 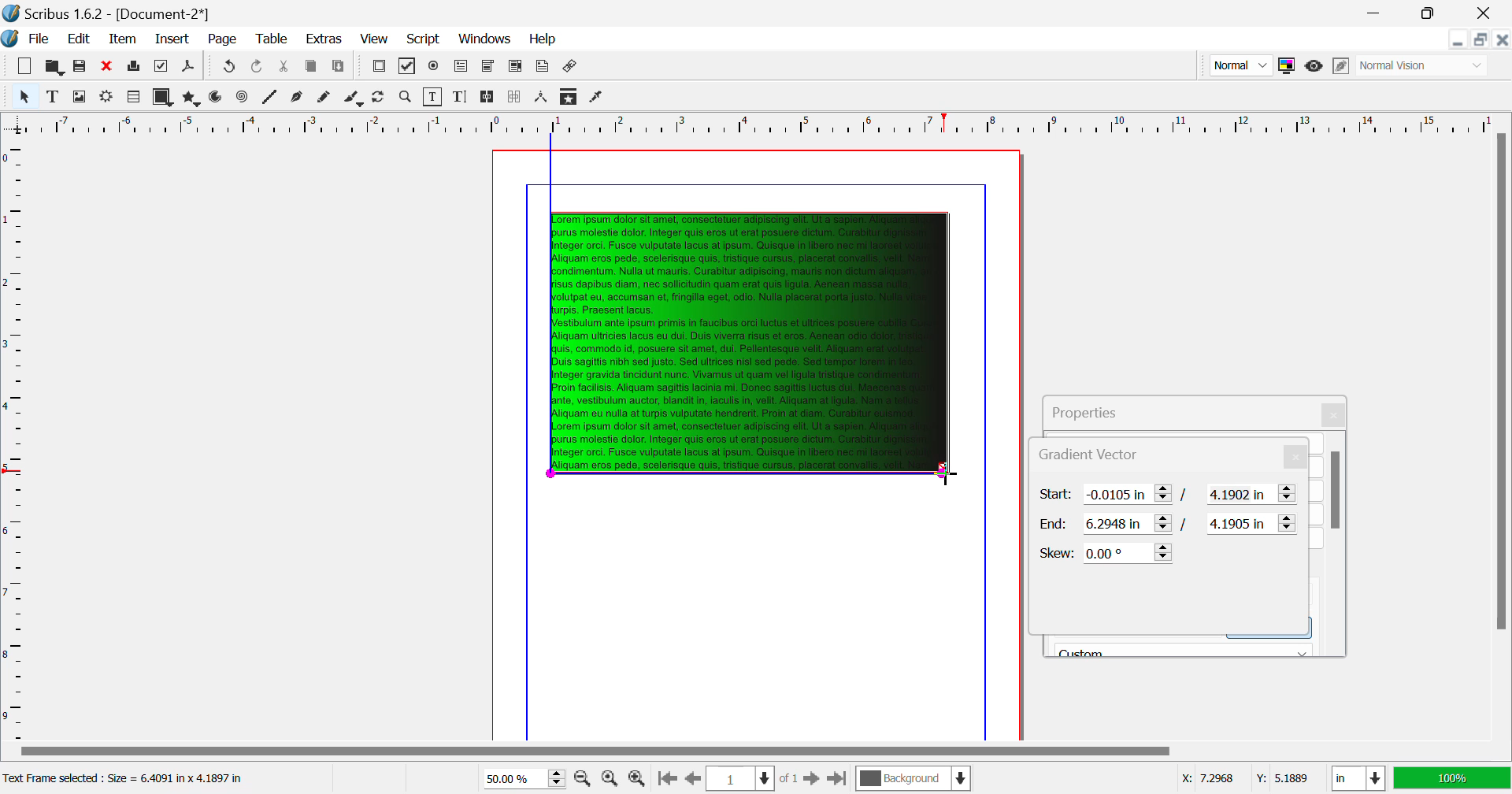 What do you see at coordinates (1184, 647) in the screenshot?
I see `Black` at bounding box center [1184, 647].